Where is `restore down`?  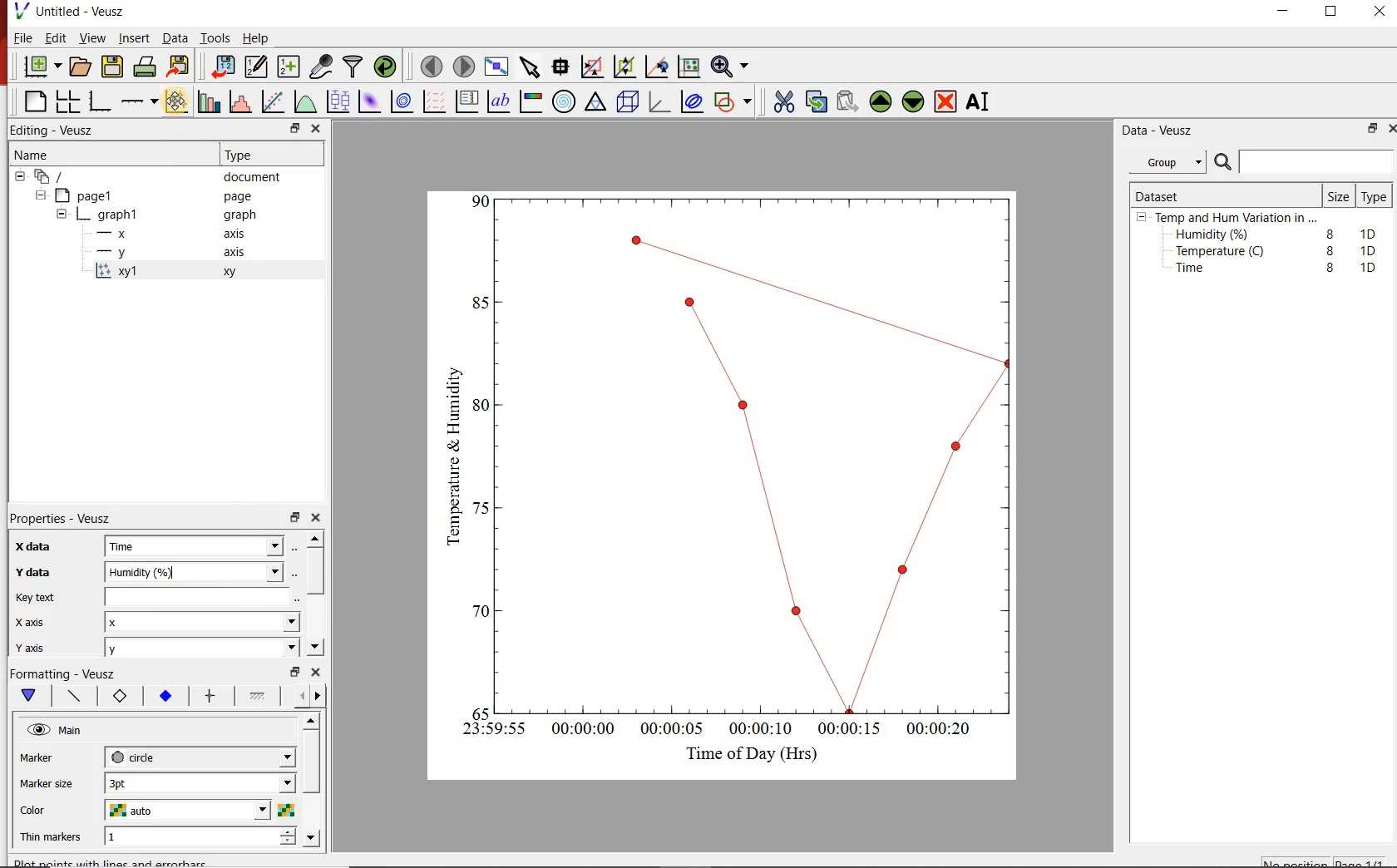
restore down is located at coordinates (284, 128).